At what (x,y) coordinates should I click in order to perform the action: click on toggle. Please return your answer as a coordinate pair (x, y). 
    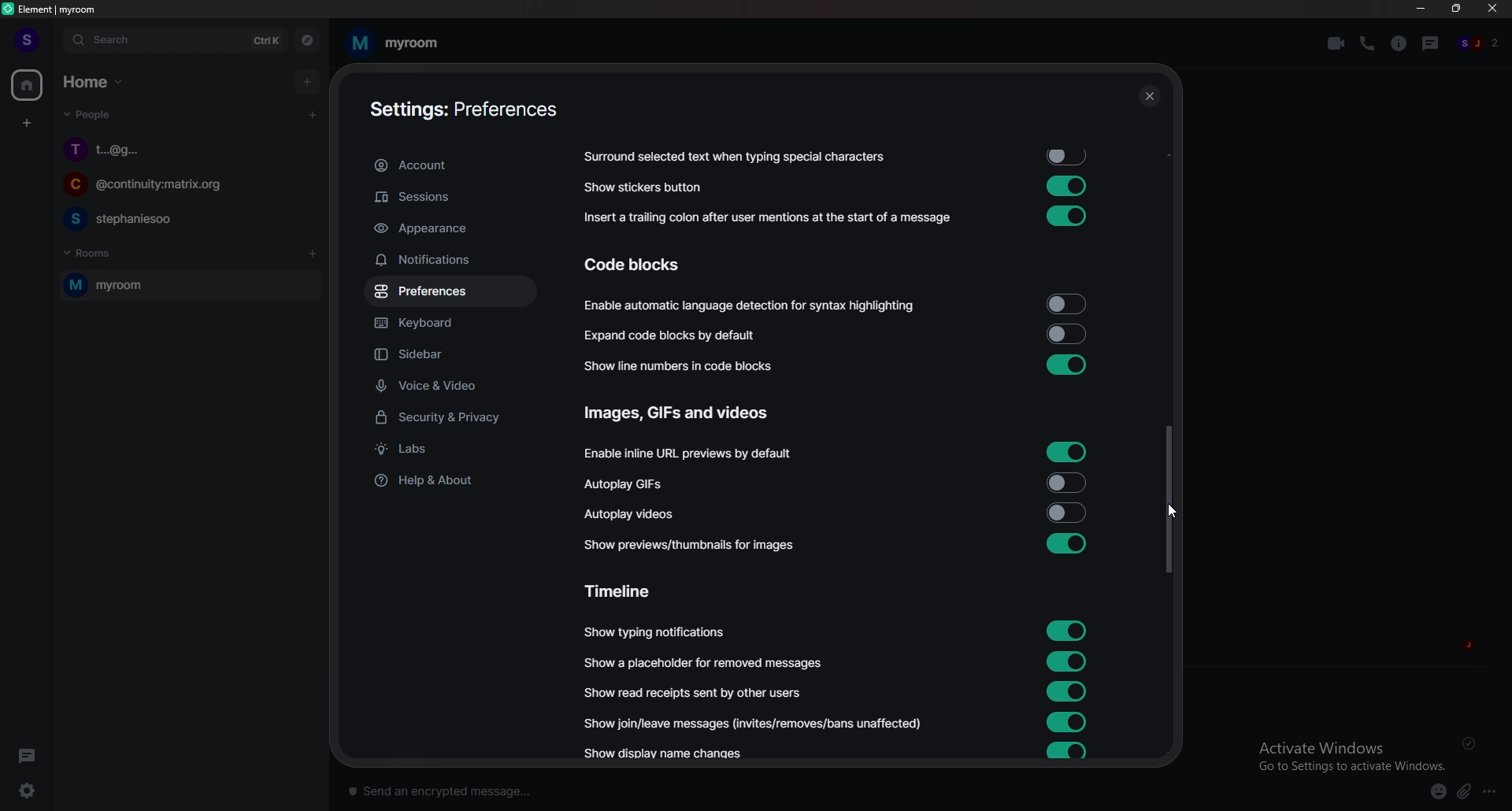
    Looking at the image, I should click on (1071, 157).